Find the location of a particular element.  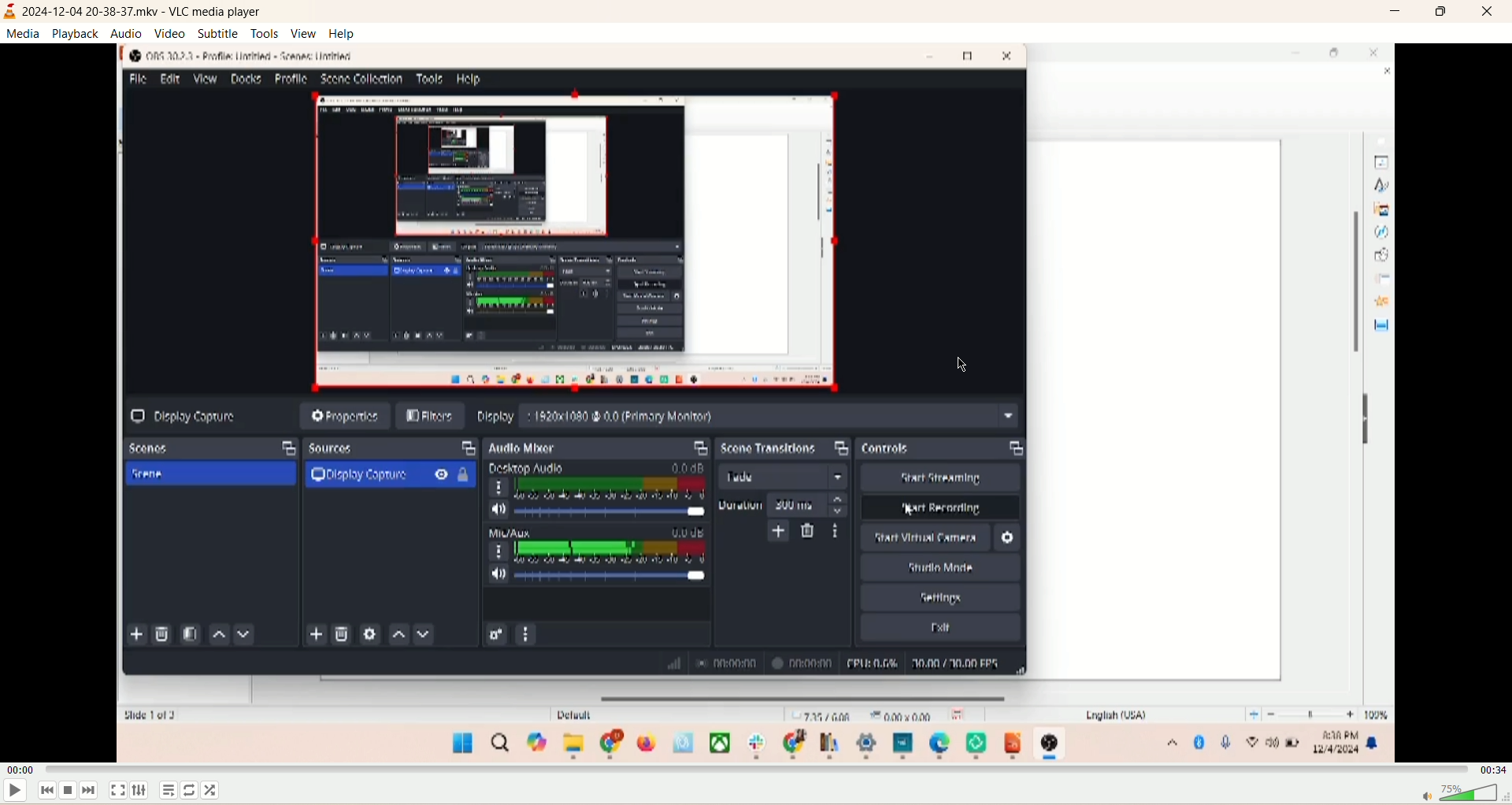

playback is located at coordinates (76, 33).